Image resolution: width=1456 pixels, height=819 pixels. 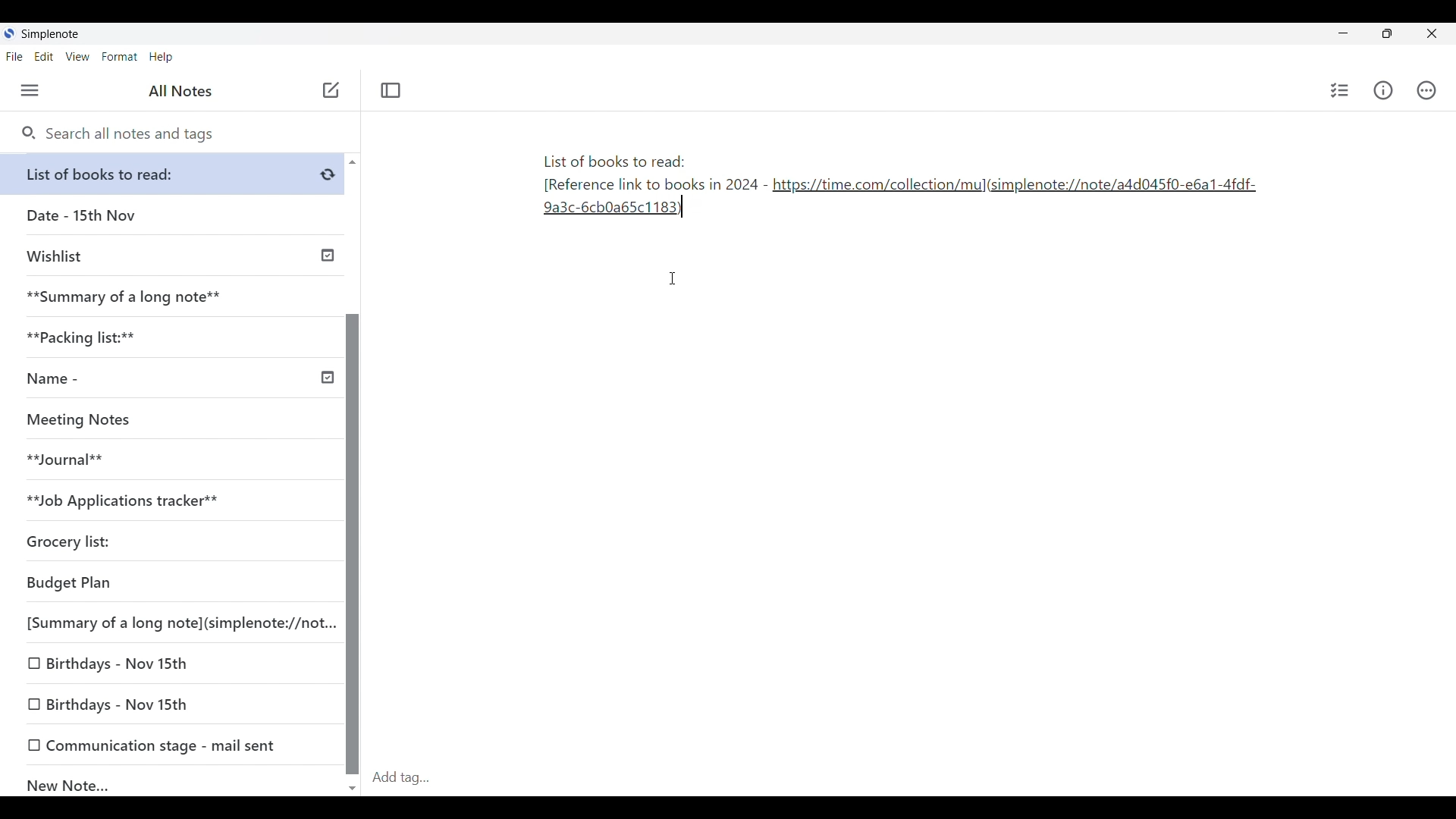 I want to click on Meeting Notes, so click(x=167, y=420).